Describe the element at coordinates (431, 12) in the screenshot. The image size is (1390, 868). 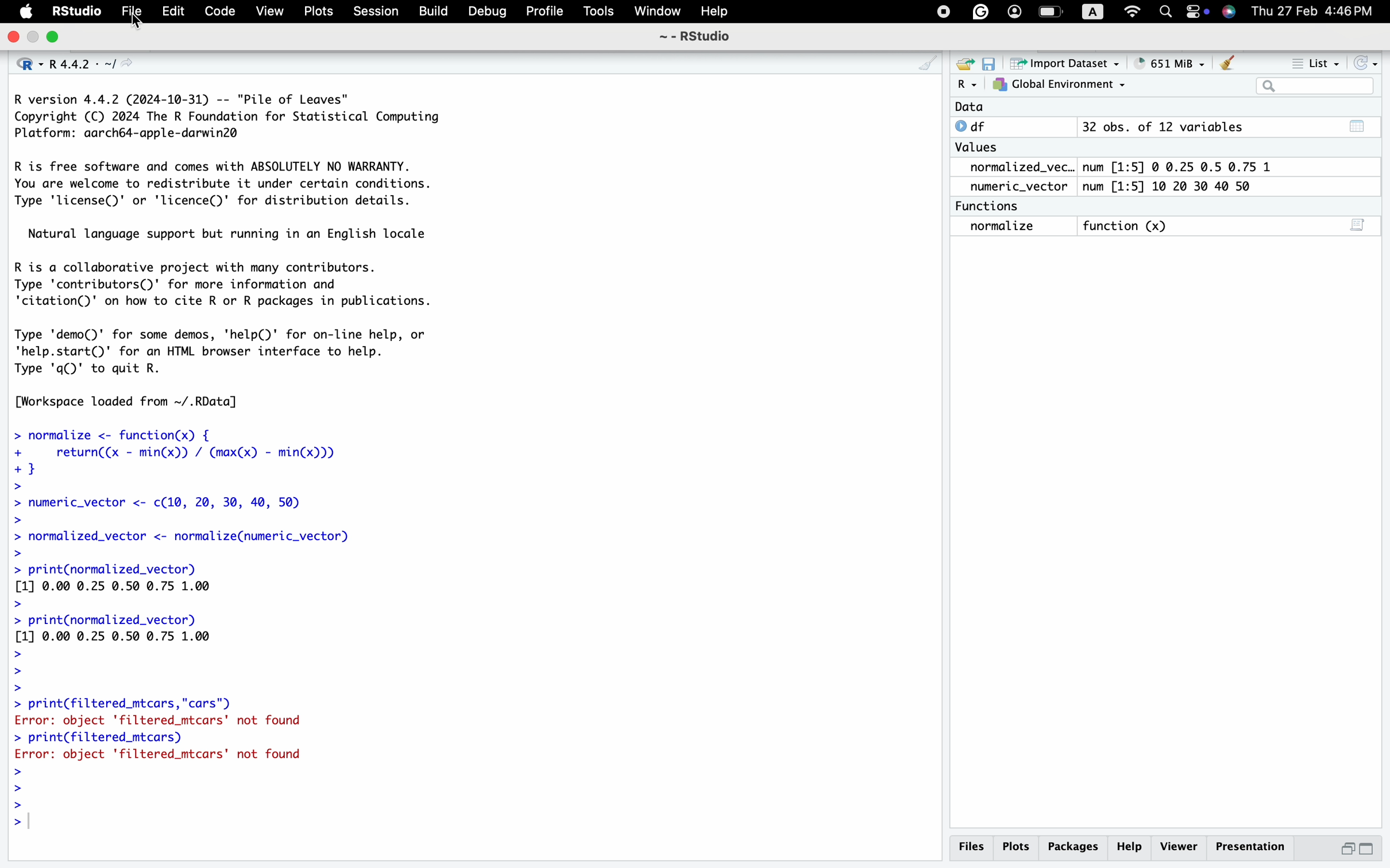
I see `Build` at that location.